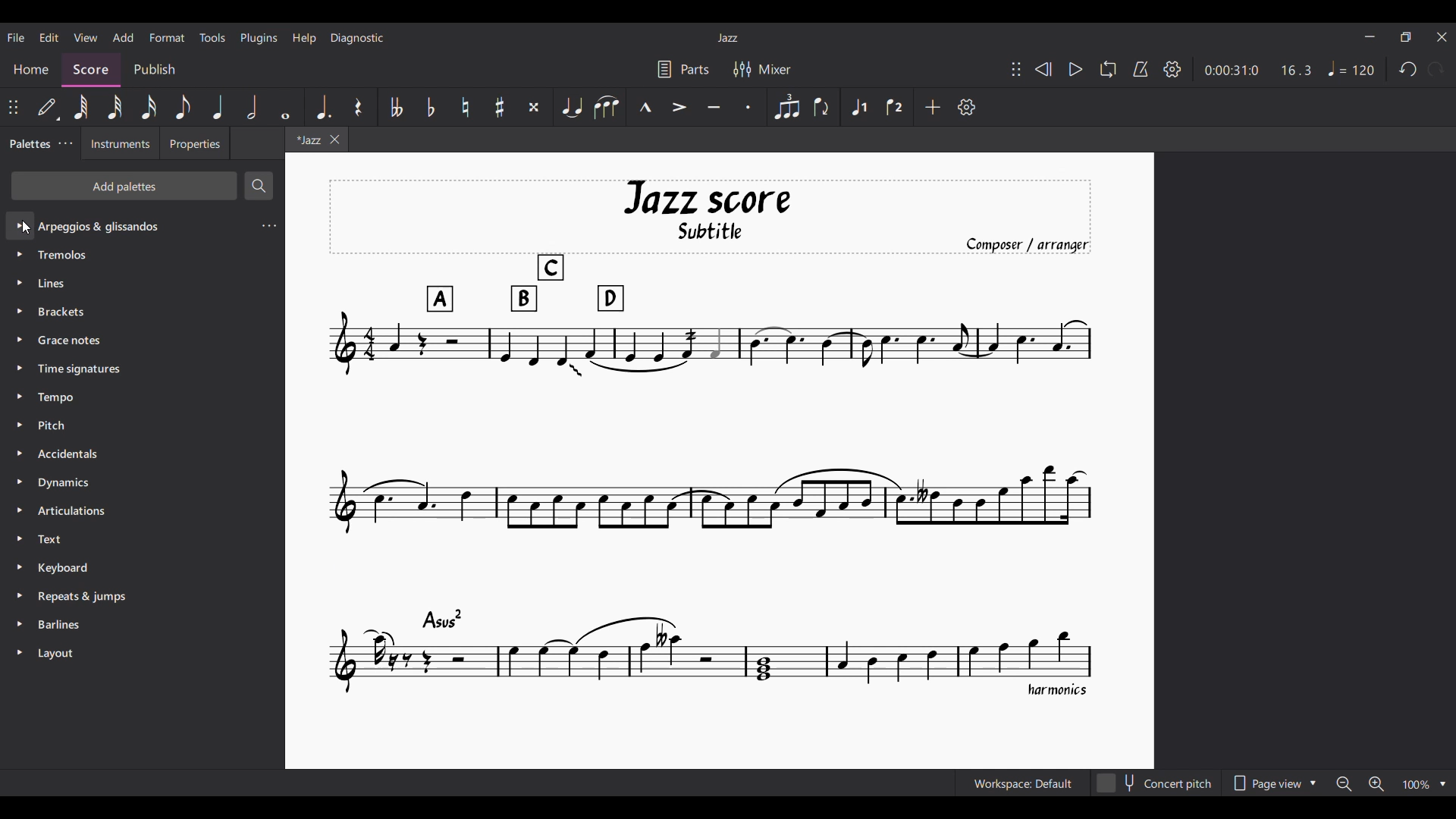  Describe the element at coordinates (966, 107) in the screenshot. I see `Customization settings` at that location.